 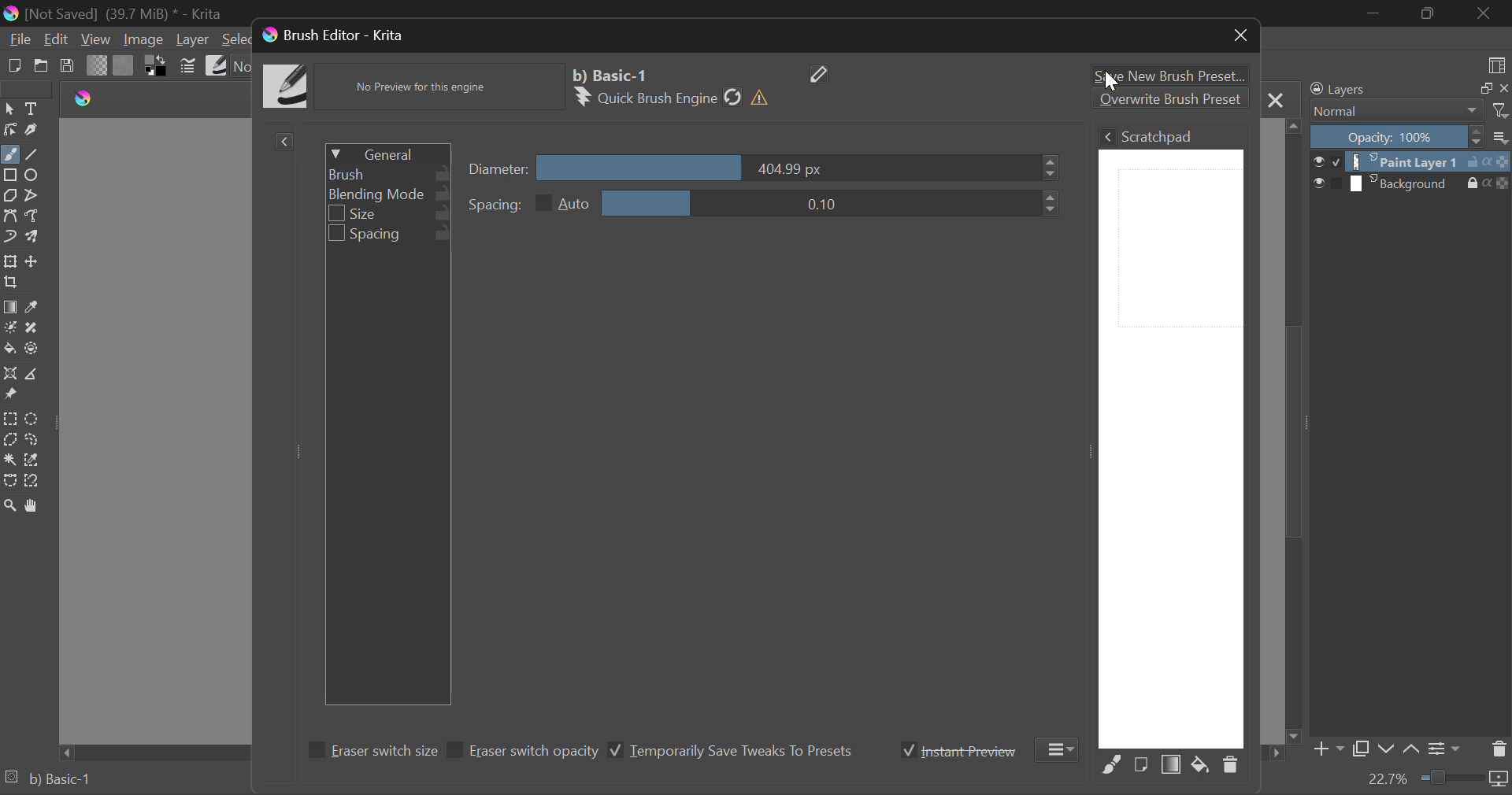 I want to click on Assistant Tool, so click(x=11, y=374).